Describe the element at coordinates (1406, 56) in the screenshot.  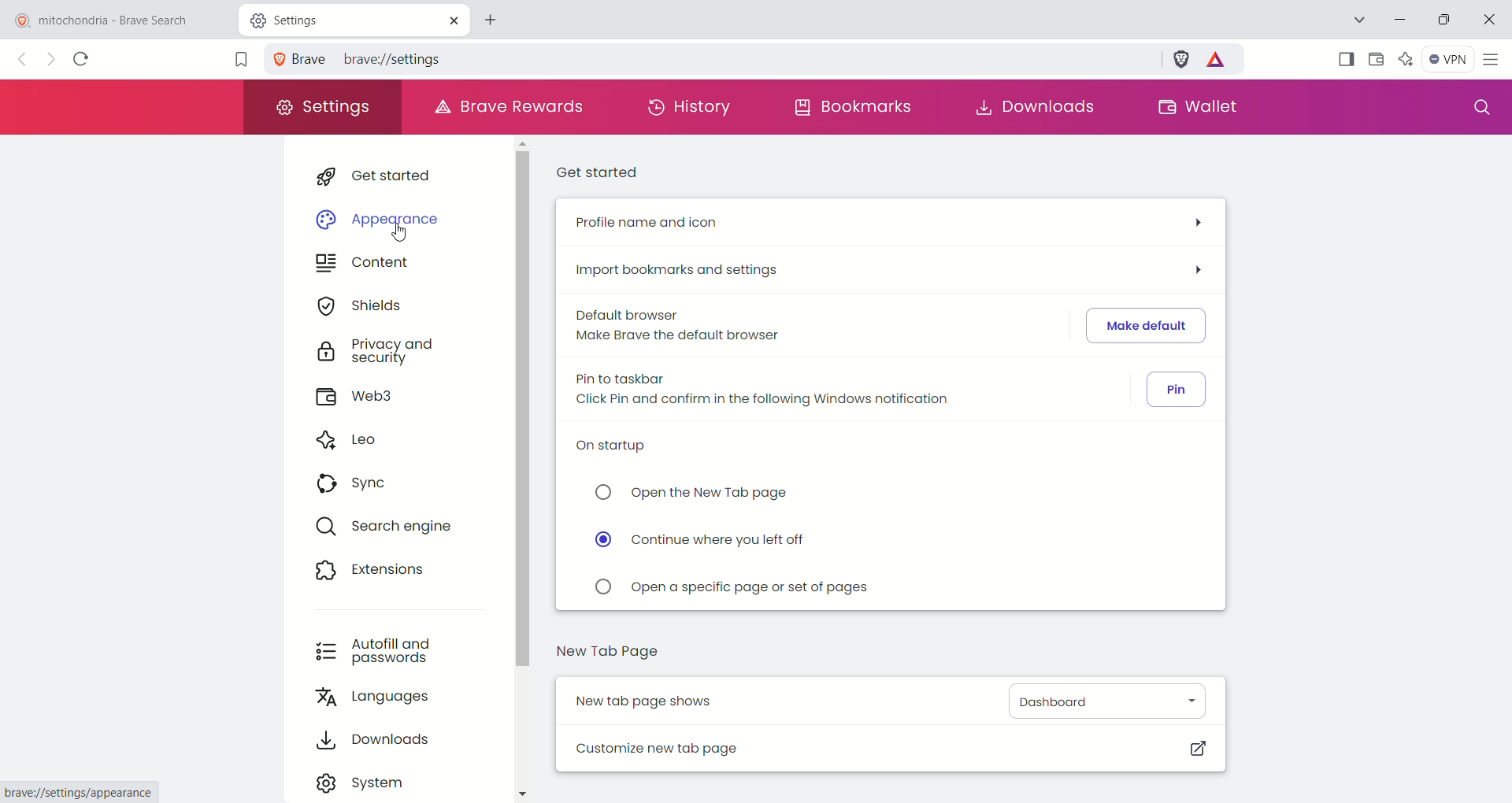
I see `leo AI` at that location.